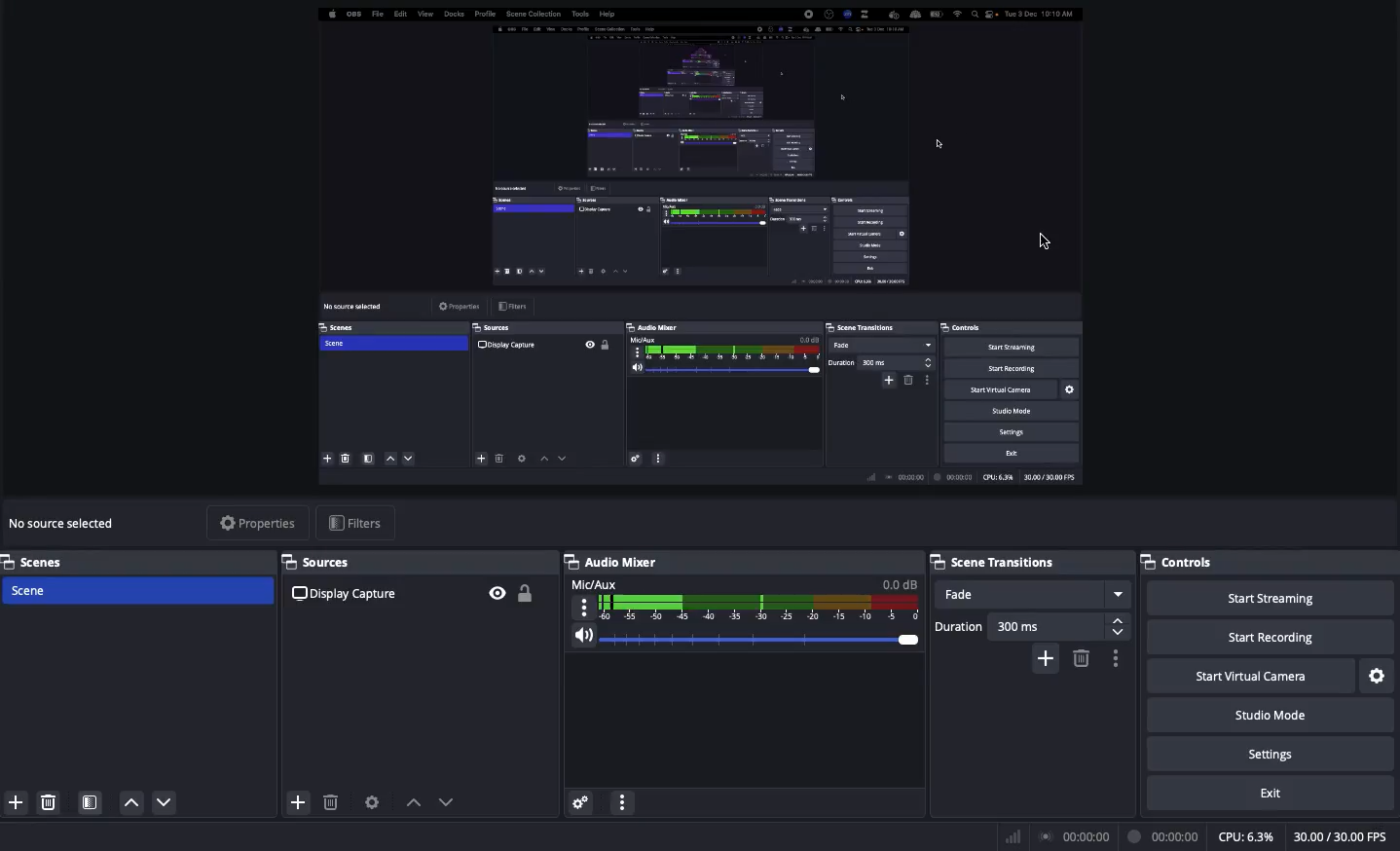  What do you see at coordinates (130, 801) in the screenshot?
I see `Move up` at bounding box center [130, 801].